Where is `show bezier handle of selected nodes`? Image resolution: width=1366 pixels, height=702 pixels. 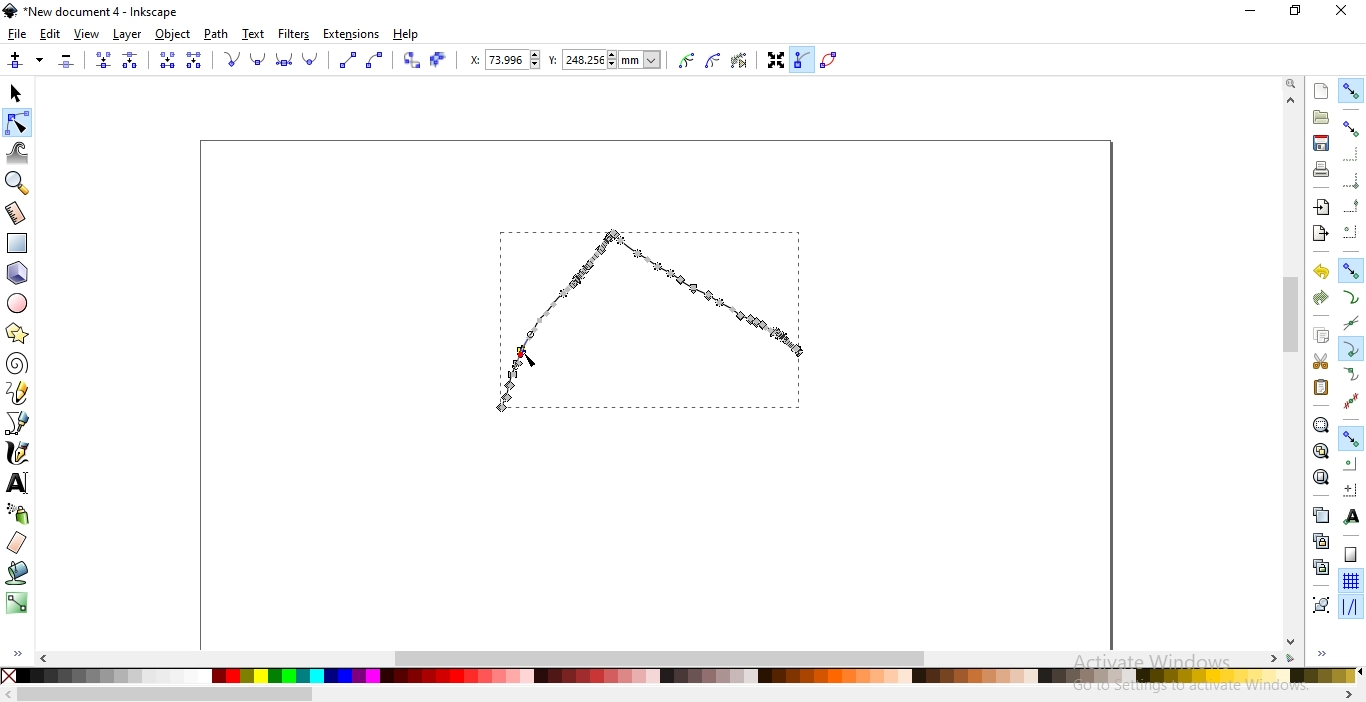 show bezier handle of selected nodes is located at coordinates (803, 58).